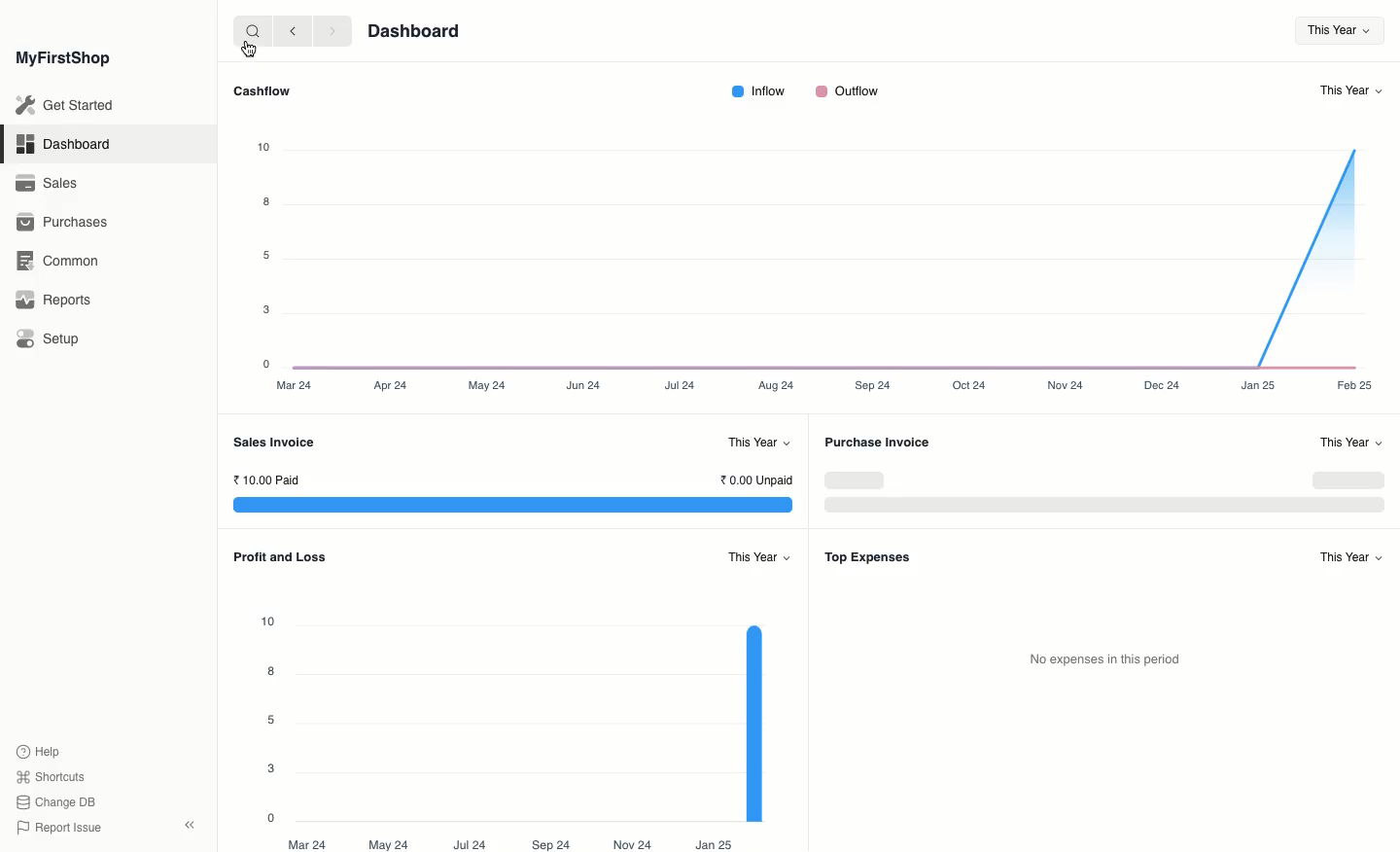  What do you see at coordinates (62, 143) in the screenshot?
I see `Dashboard` at bounding box center [62, 143].